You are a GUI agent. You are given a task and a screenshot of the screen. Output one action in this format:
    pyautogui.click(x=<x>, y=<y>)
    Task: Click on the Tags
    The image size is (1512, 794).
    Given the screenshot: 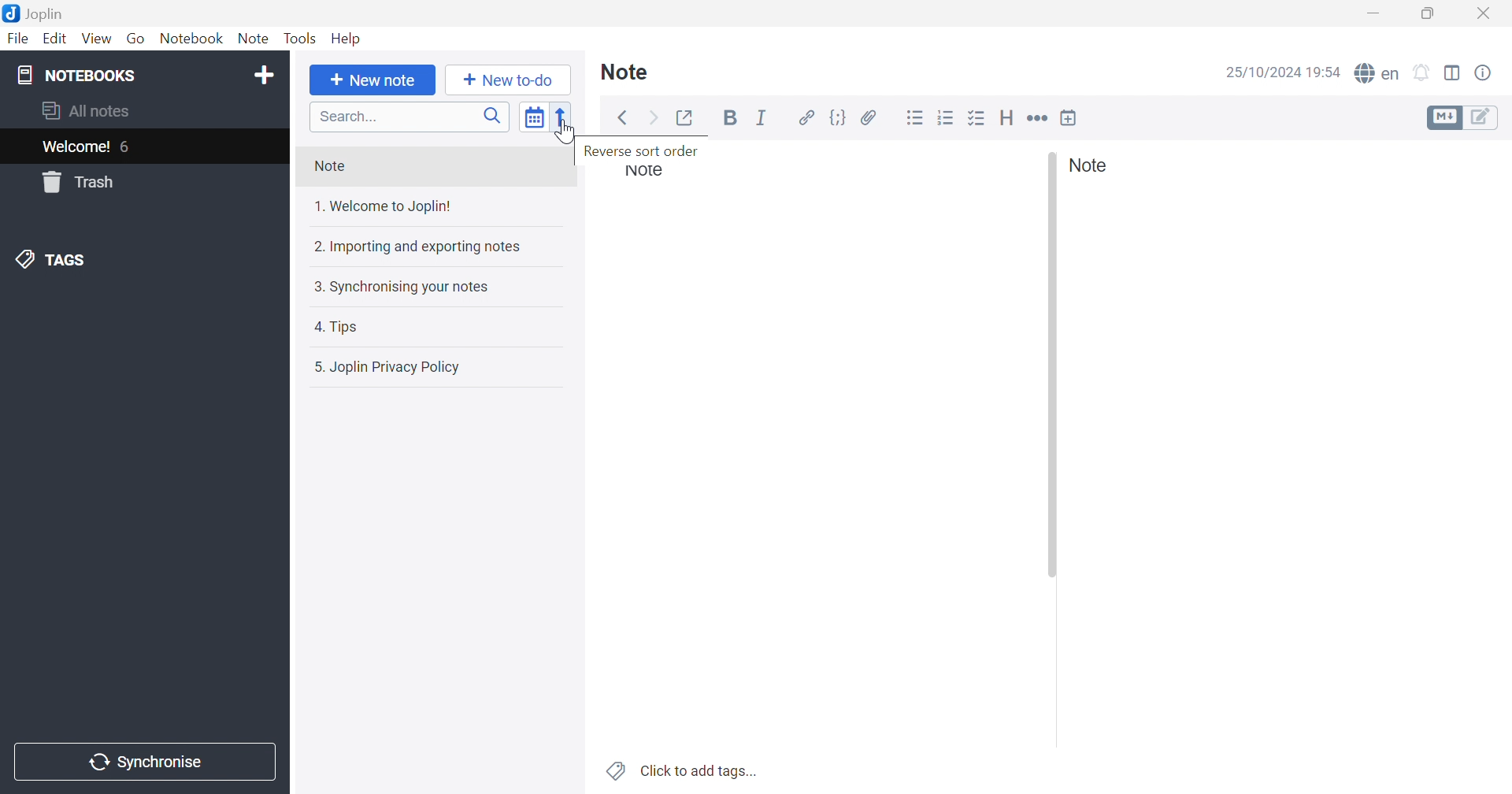 What is the action you would take?
    pyautogui.click(x=57, y=260)
    